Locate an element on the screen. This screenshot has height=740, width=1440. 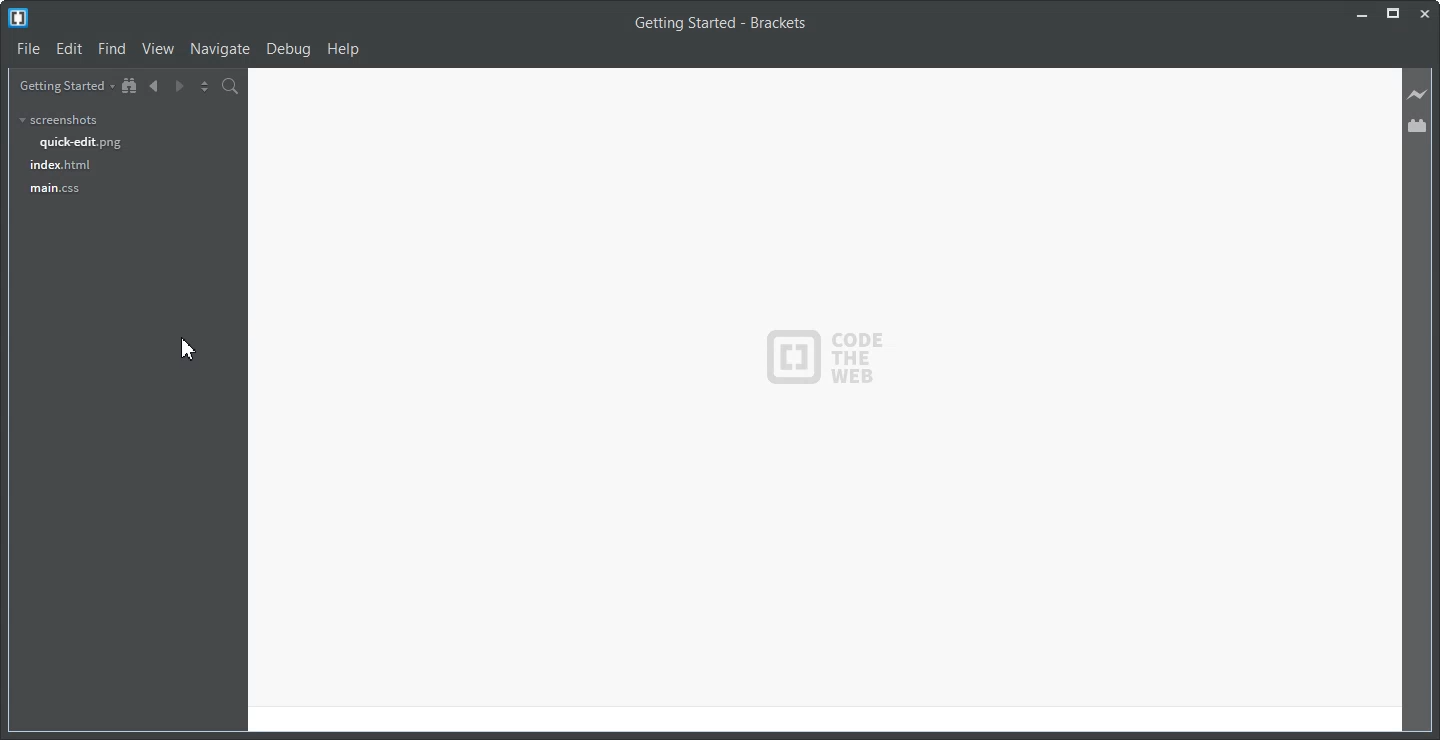
Close is located at coordinates (1425, 12).